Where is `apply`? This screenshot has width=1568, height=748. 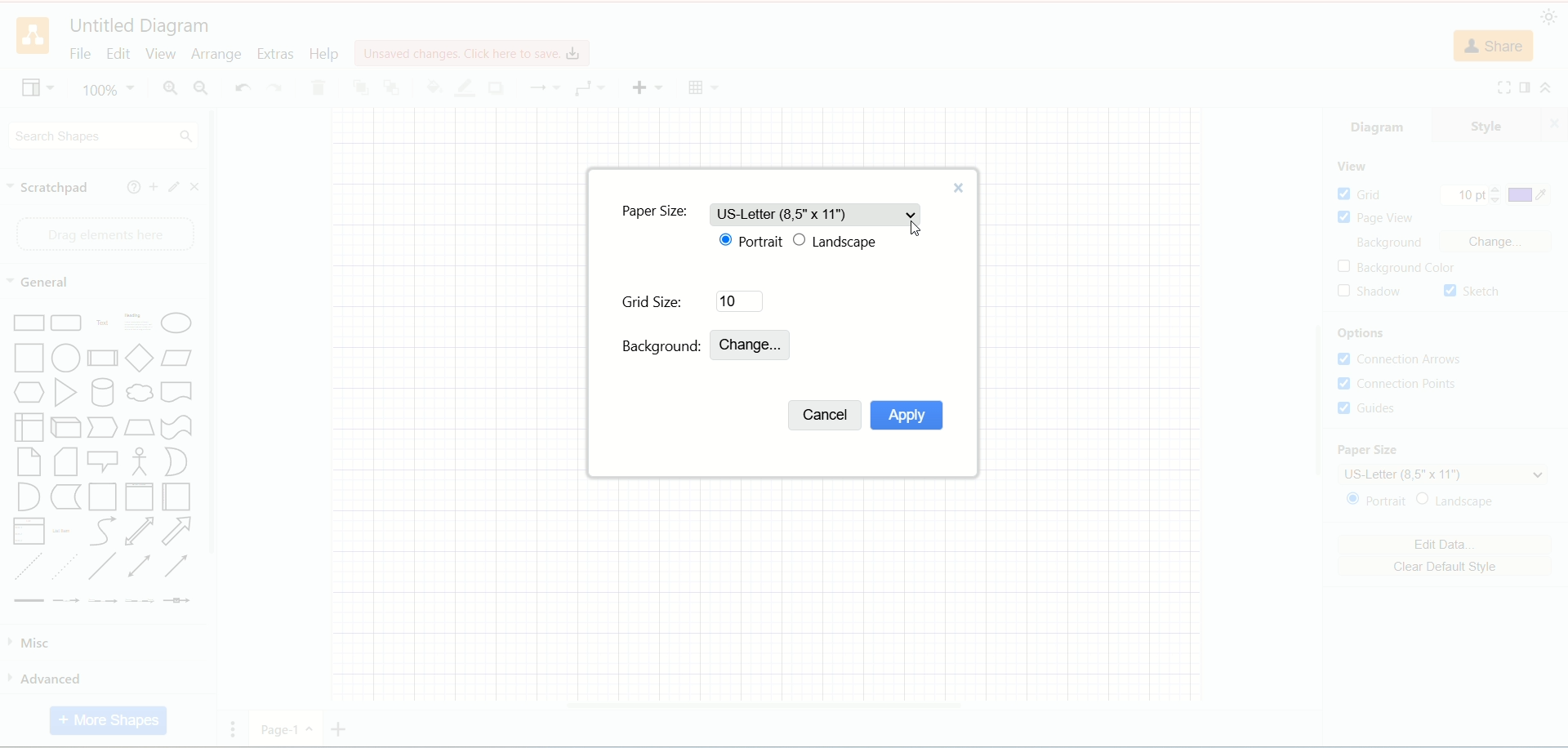
apply is located at coordinates (908, 416).